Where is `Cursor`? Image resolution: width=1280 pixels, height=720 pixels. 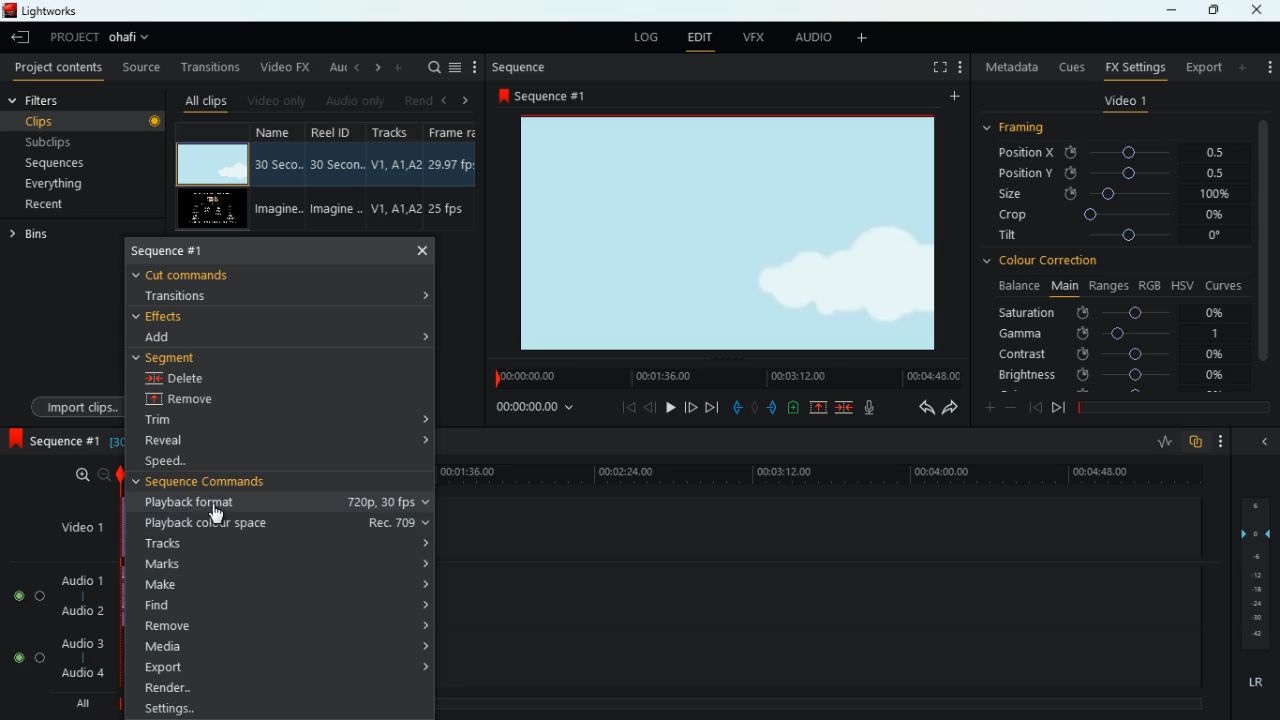
Cursor is located at coordinates (216, 514).